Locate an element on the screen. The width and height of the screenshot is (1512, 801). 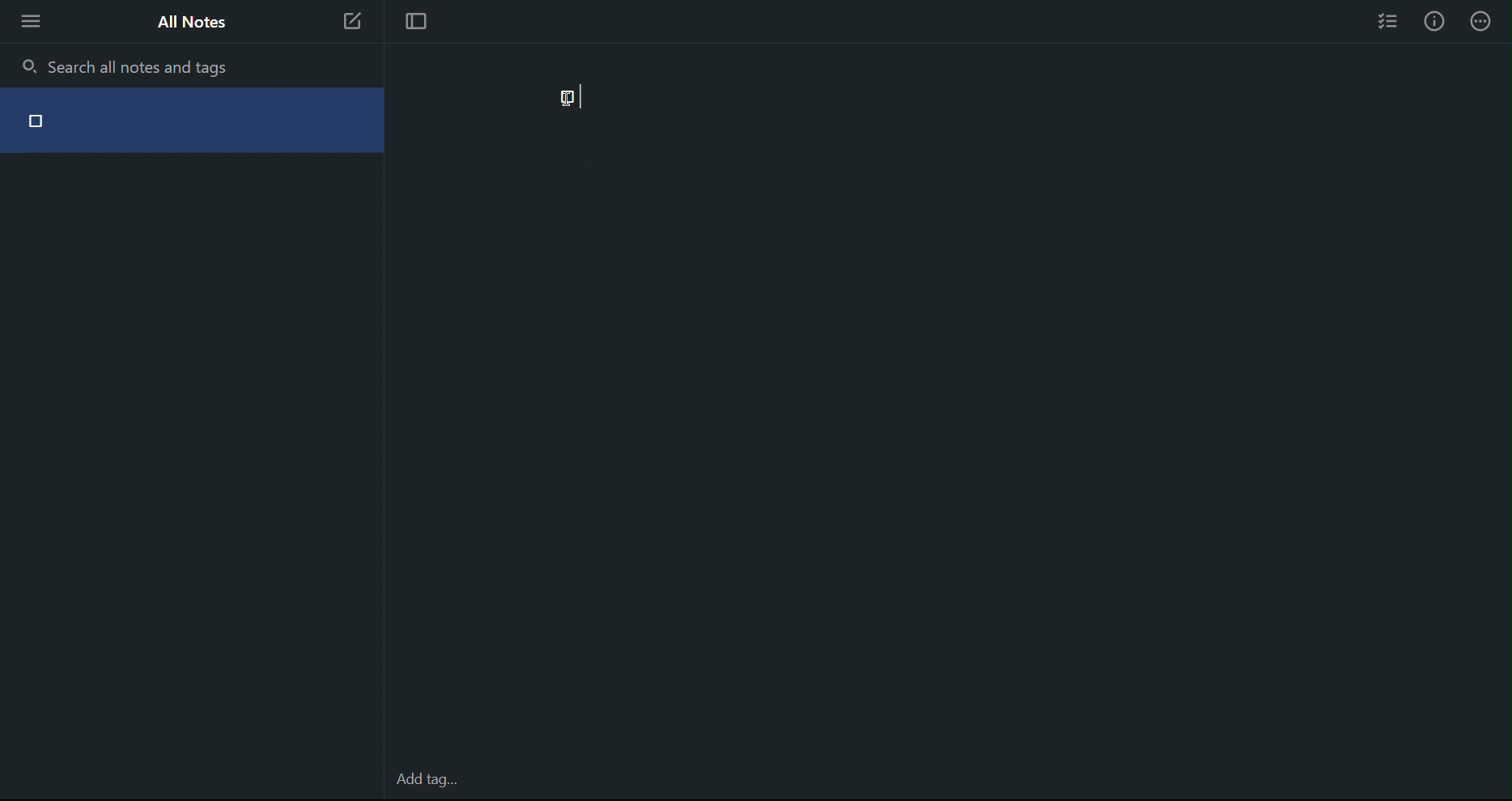
All Notes is located at coordinates (188, 19).